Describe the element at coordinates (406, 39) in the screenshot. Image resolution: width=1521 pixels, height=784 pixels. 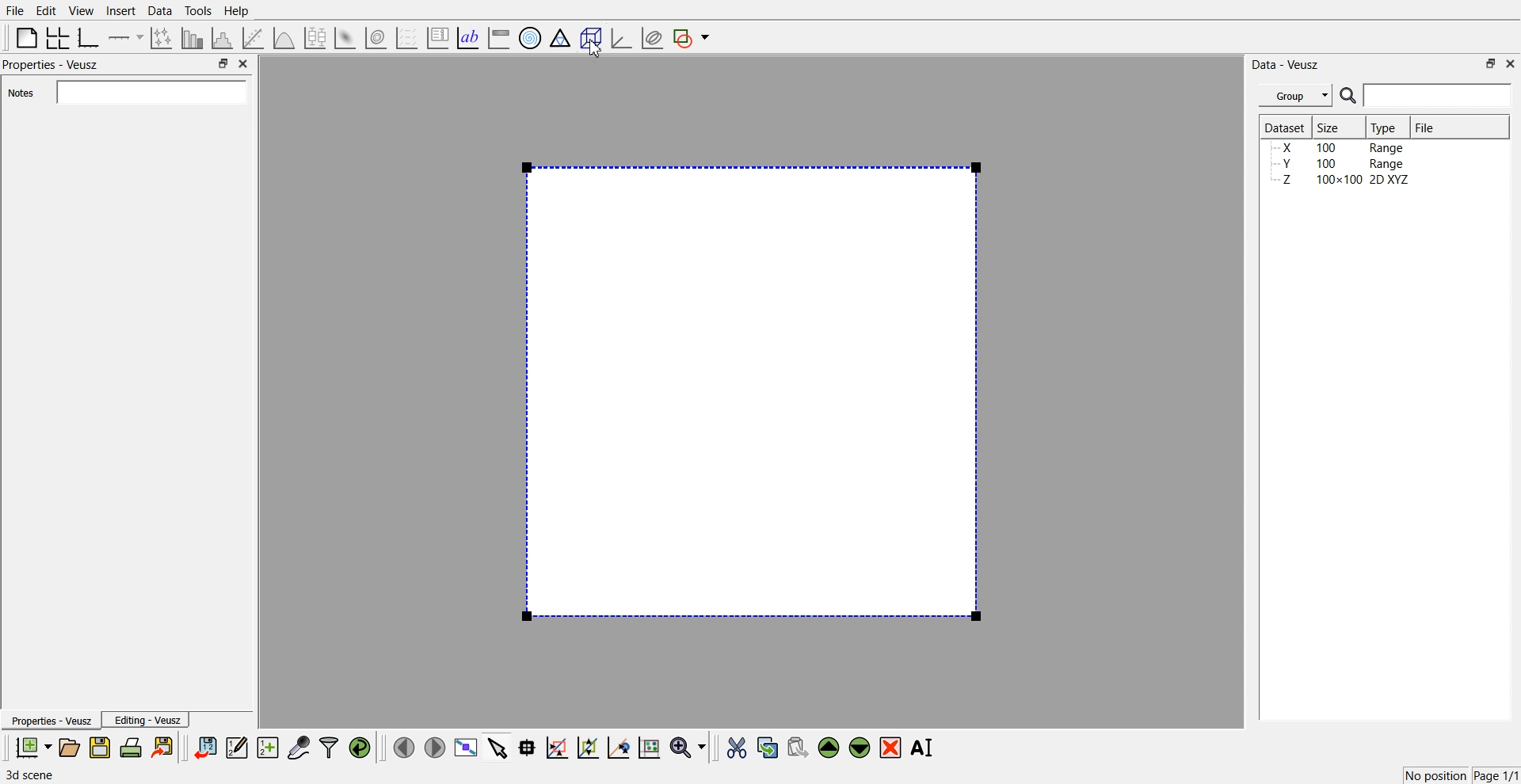
I see `Plot a vector field` at that location.